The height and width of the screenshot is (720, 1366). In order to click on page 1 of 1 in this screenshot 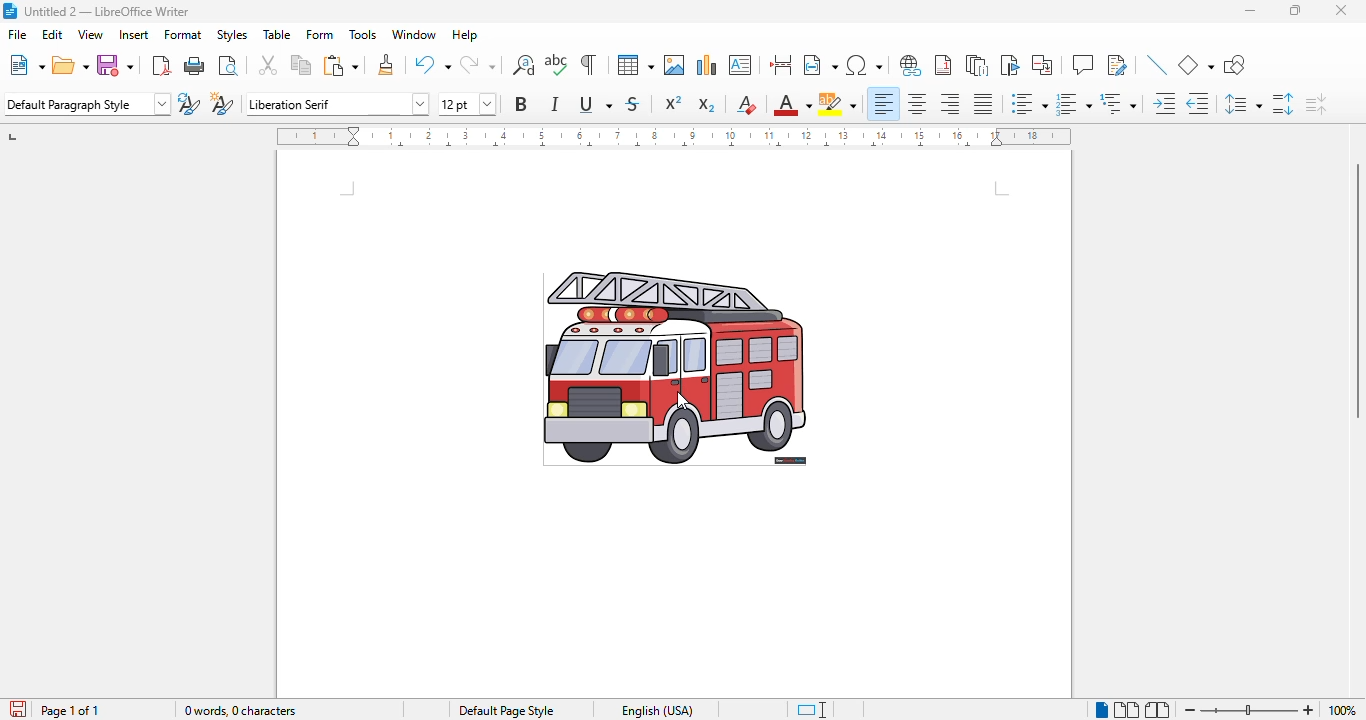, I will do `click(69, 711)`.